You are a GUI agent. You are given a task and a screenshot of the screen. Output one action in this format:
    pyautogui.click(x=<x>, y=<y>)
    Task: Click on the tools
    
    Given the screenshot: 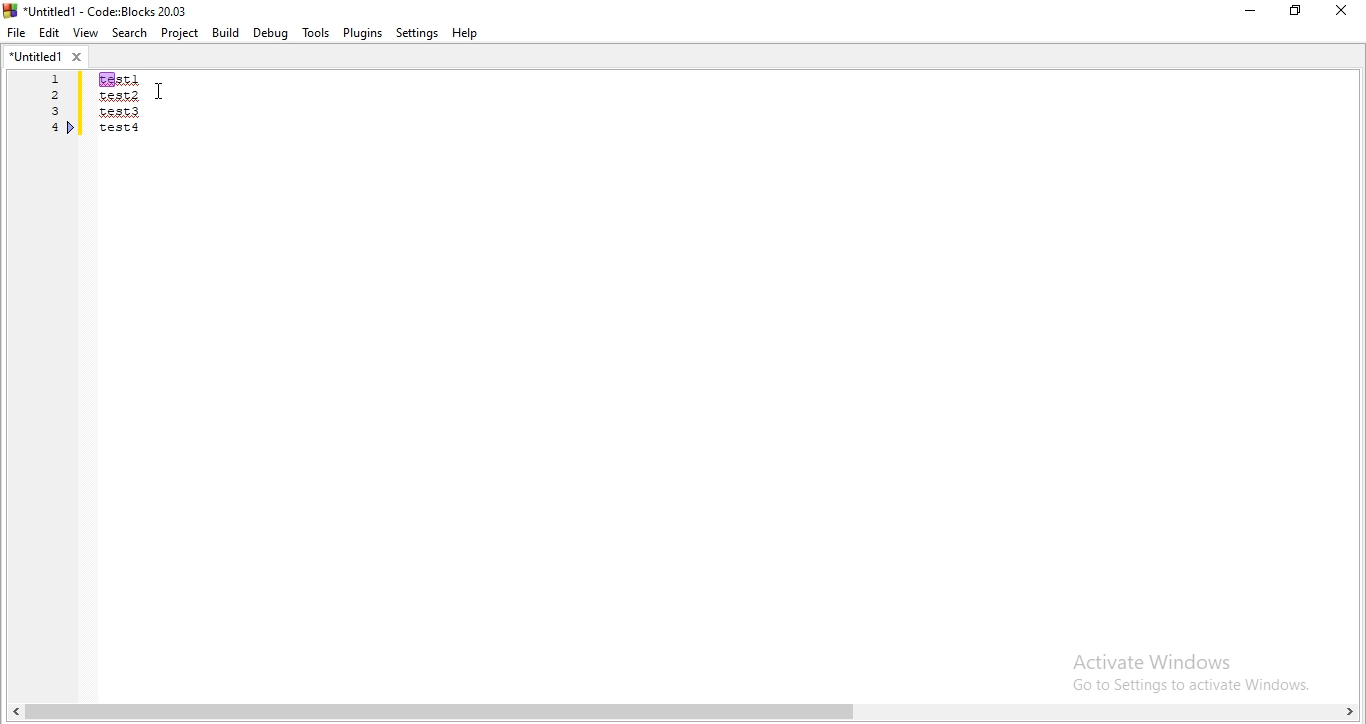 What is the action you would take?
    pyautogui.click(x=314, y=33)
    